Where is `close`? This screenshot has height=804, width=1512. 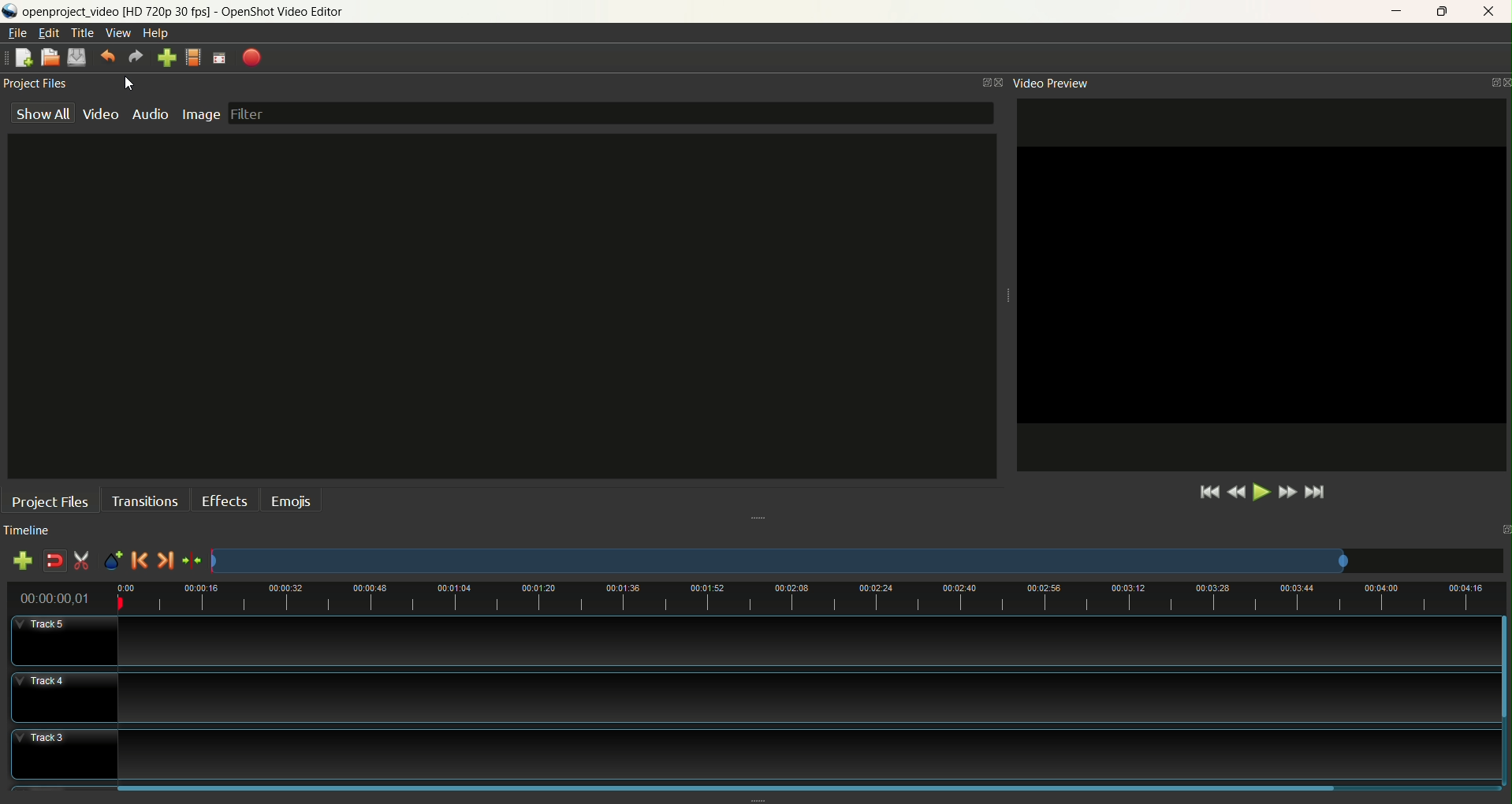
close is located at coordinates (1490, 13).